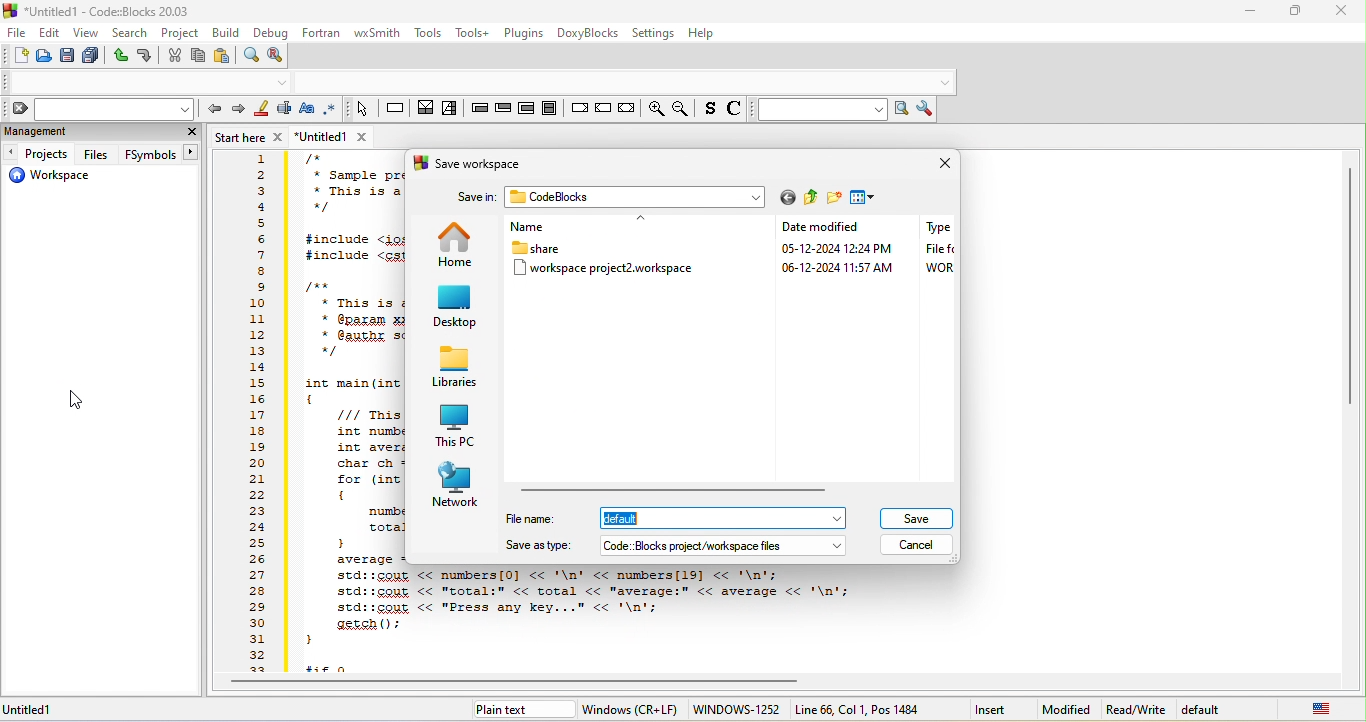 Image resolution: width=1366 pixels, height=722 pixels. Describe the element at coordinates (40, 710) in the screenshot. I see `untitled 1` at that location.